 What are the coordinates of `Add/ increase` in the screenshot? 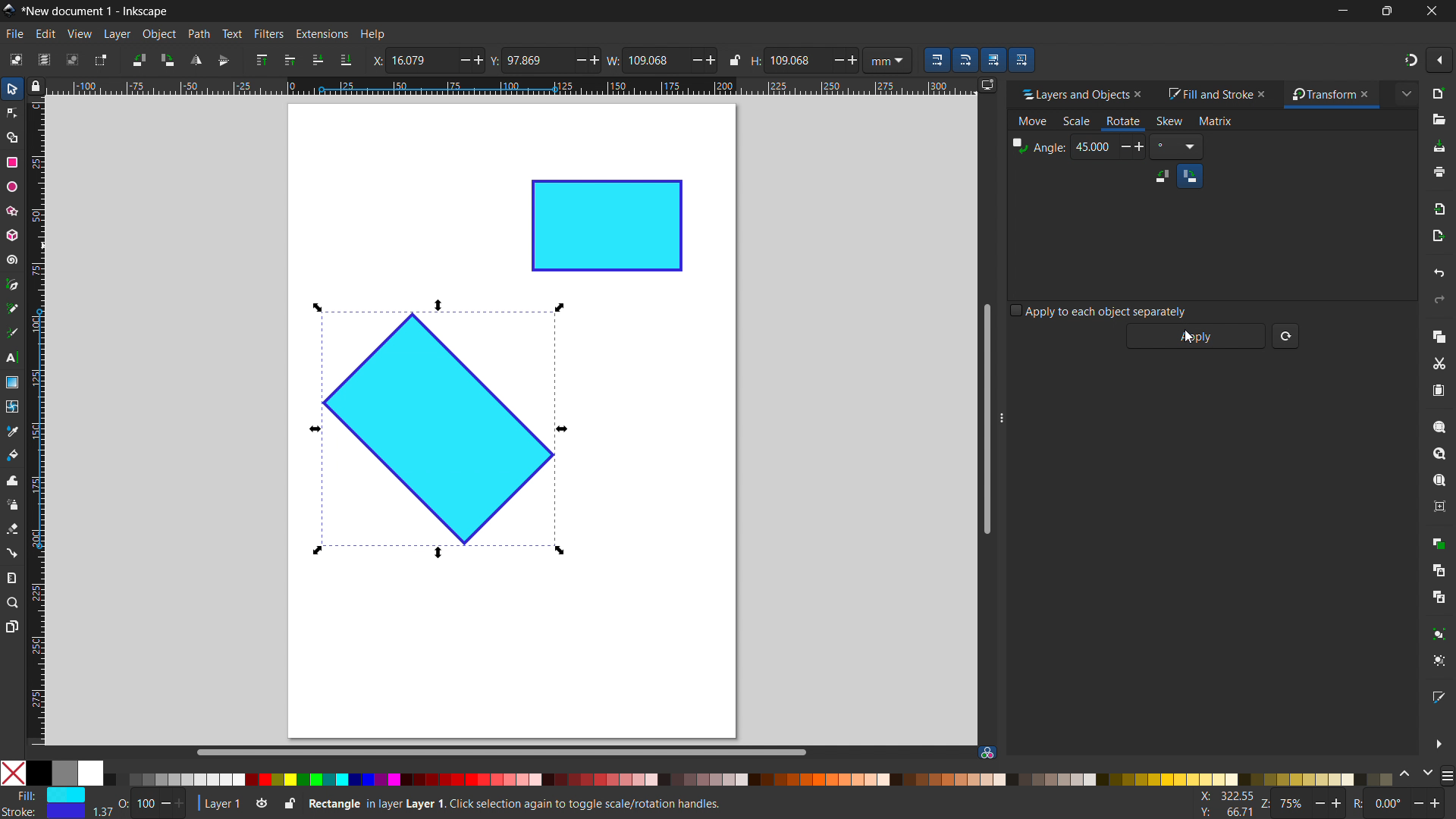 It's located at (477, 60).